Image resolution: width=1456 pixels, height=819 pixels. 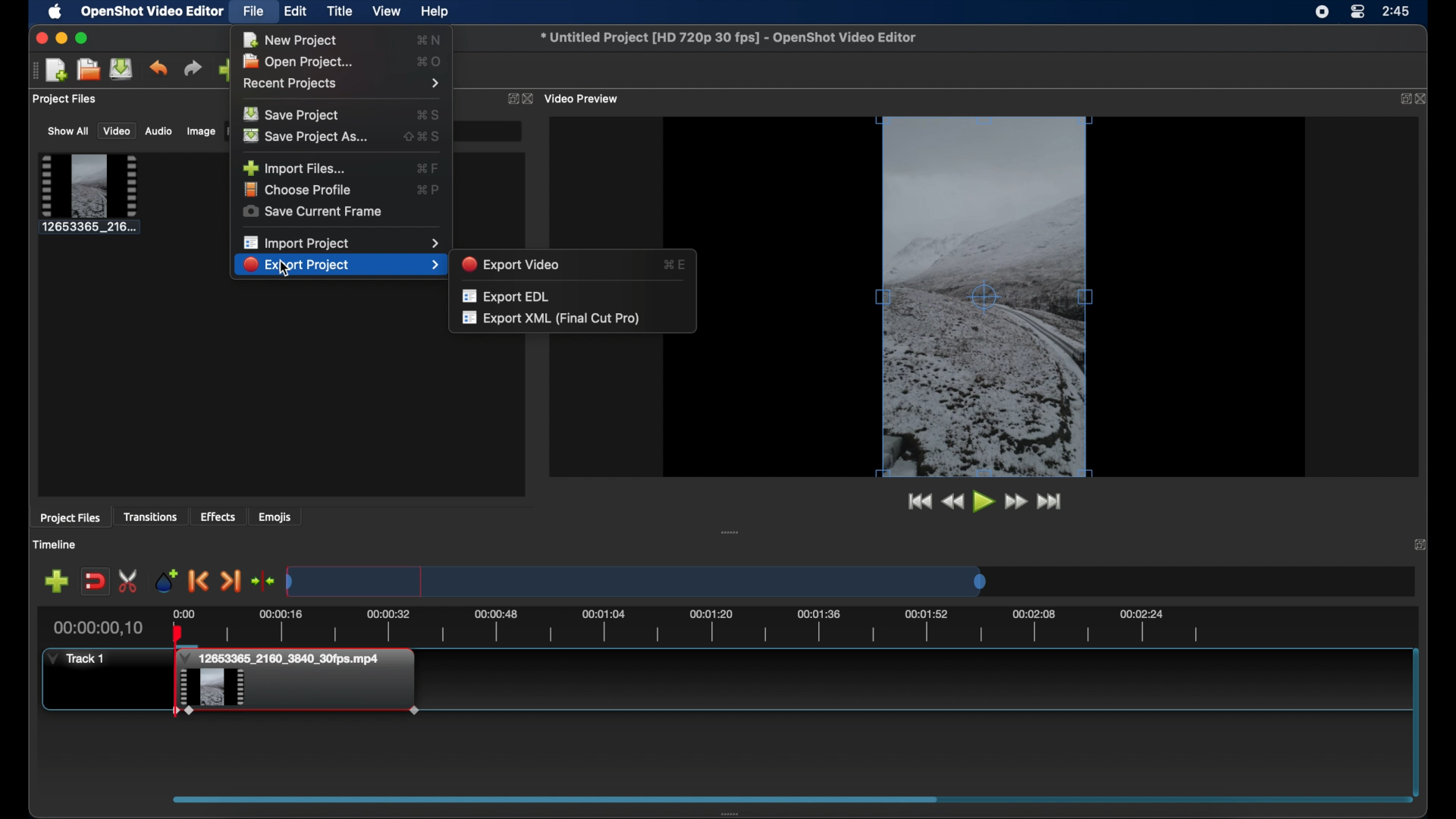 I want to click on choose profile, so click(x=300, y=190).